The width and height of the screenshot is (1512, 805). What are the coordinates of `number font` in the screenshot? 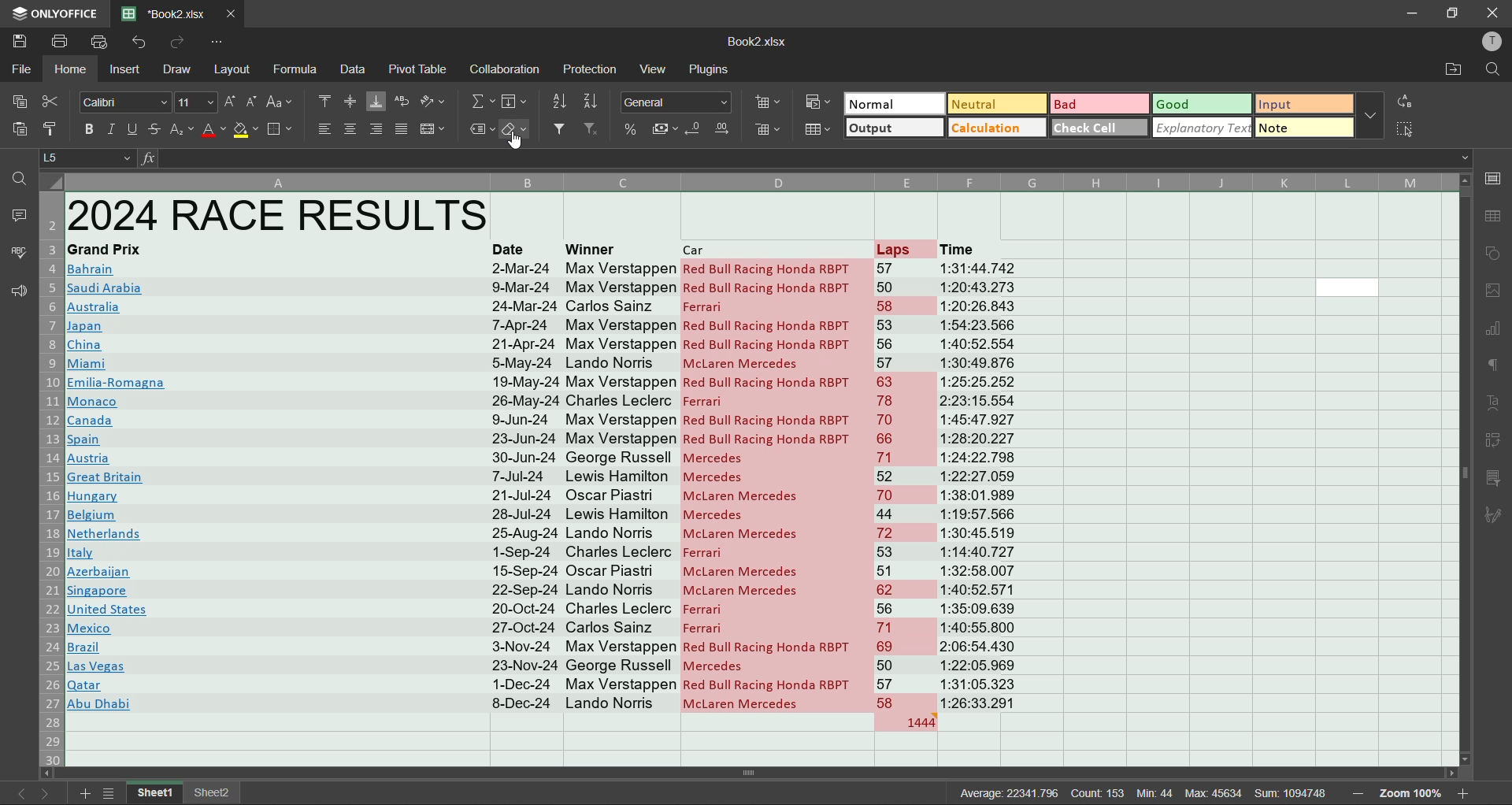 It's located at (680, 103).